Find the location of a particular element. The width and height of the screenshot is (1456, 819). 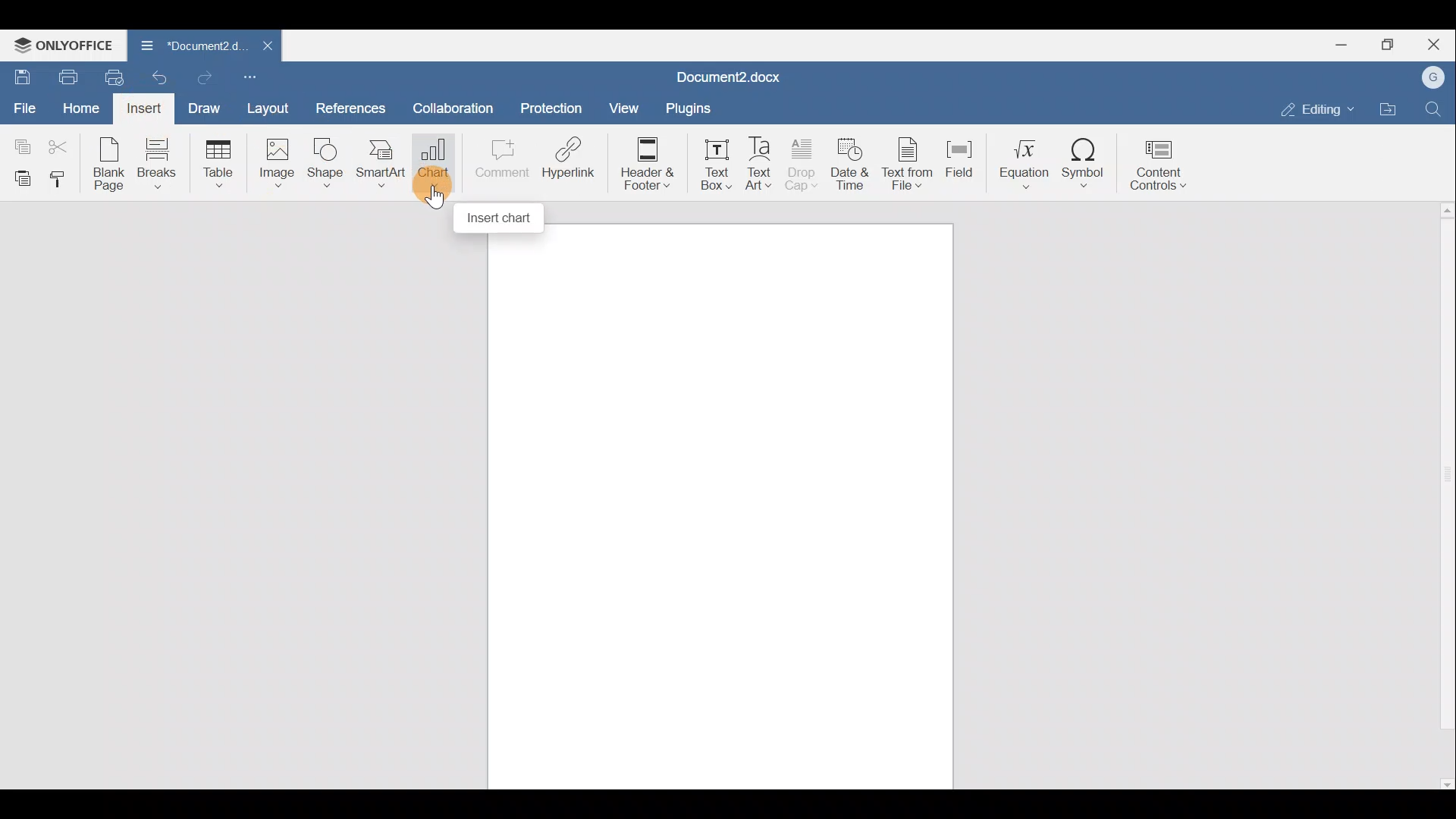

Editing mode is located at coordinates (1316, 106).